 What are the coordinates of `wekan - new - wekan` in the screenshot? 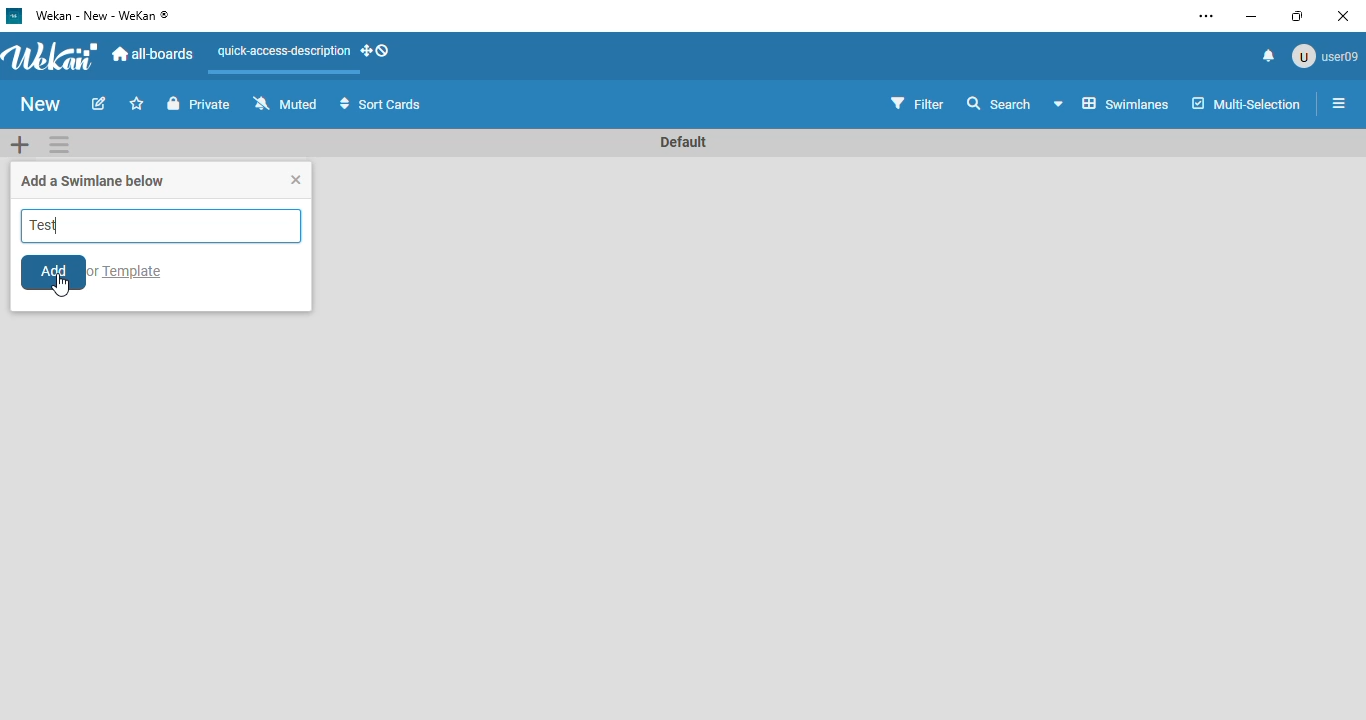 It's located at (102, 16).